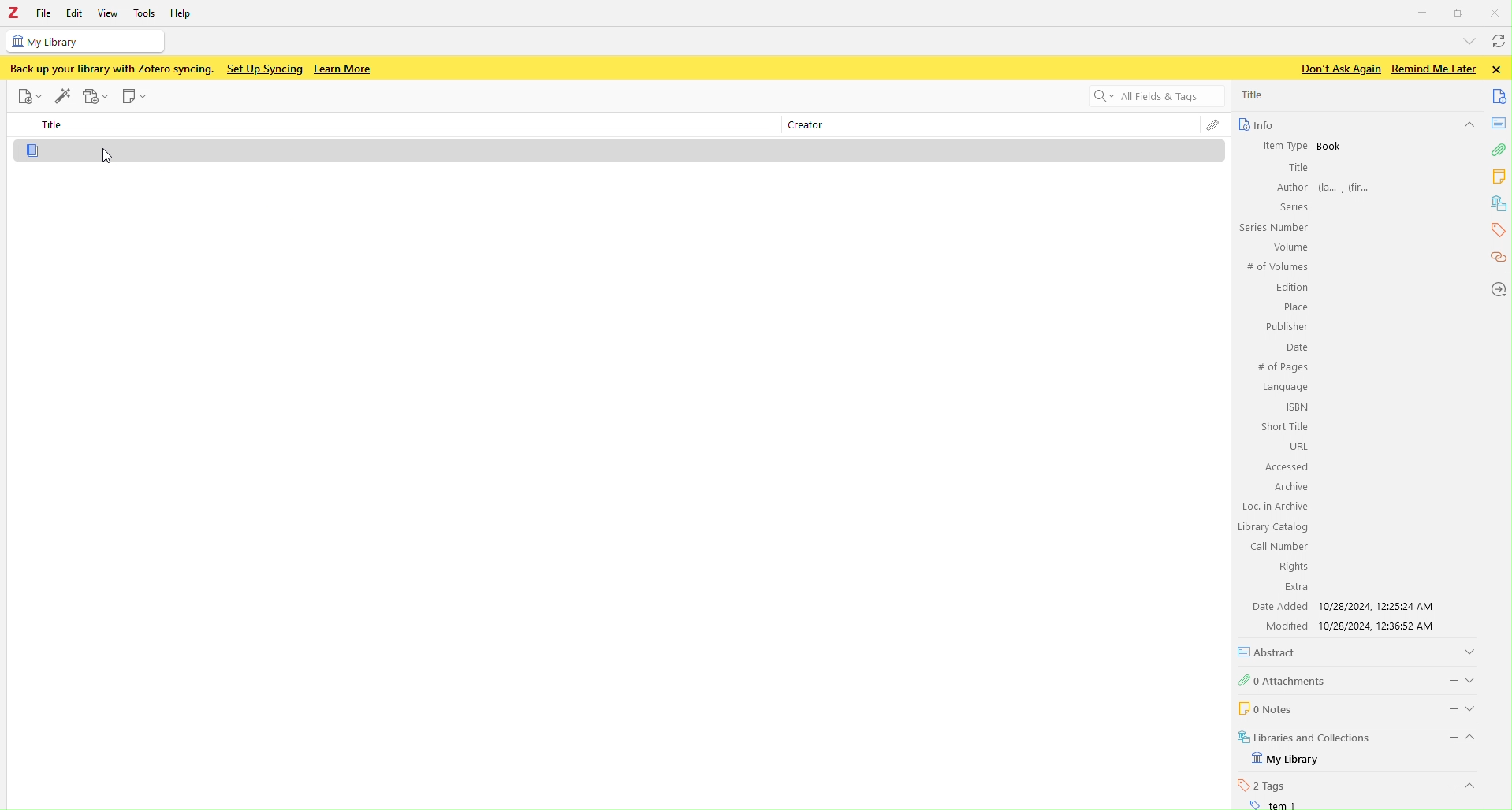  Describe the element at coordinates (1285, 388) in the screenshot. I see `Language` at that location.